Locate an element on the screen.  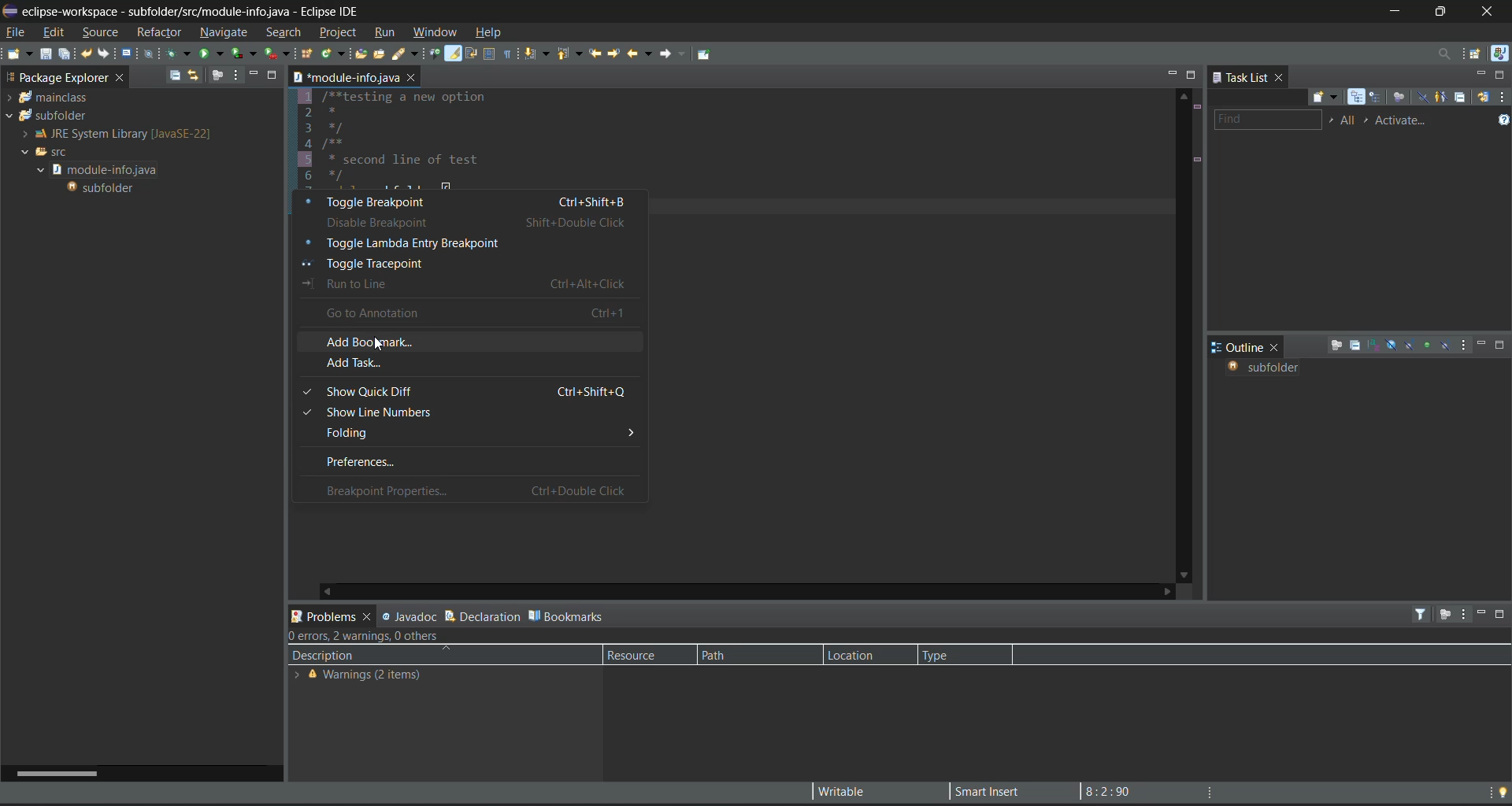
project is located at coordinates (338, 31).